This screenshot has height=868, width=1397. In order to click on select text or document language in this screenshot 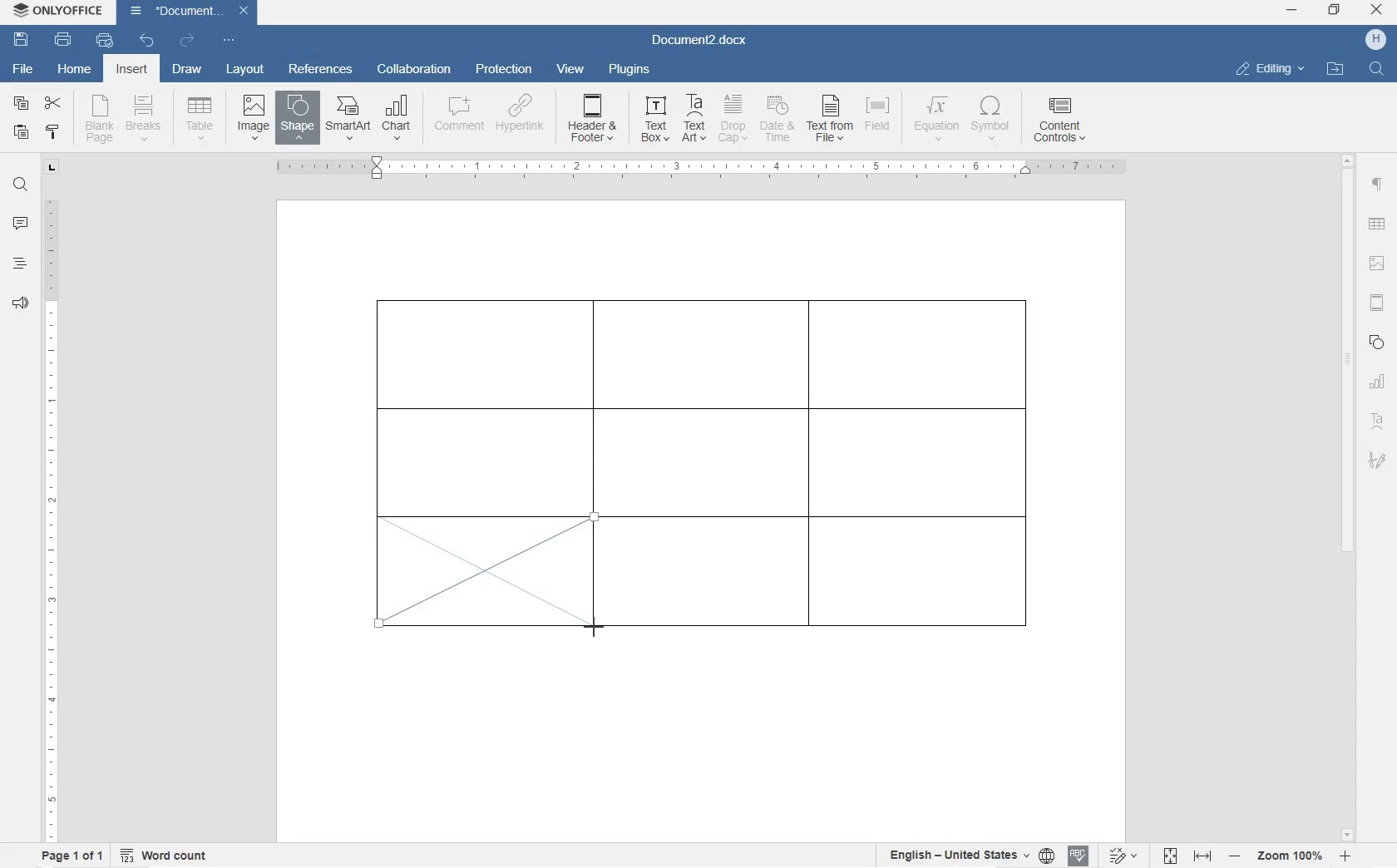, I will do `click(969, 857)`.